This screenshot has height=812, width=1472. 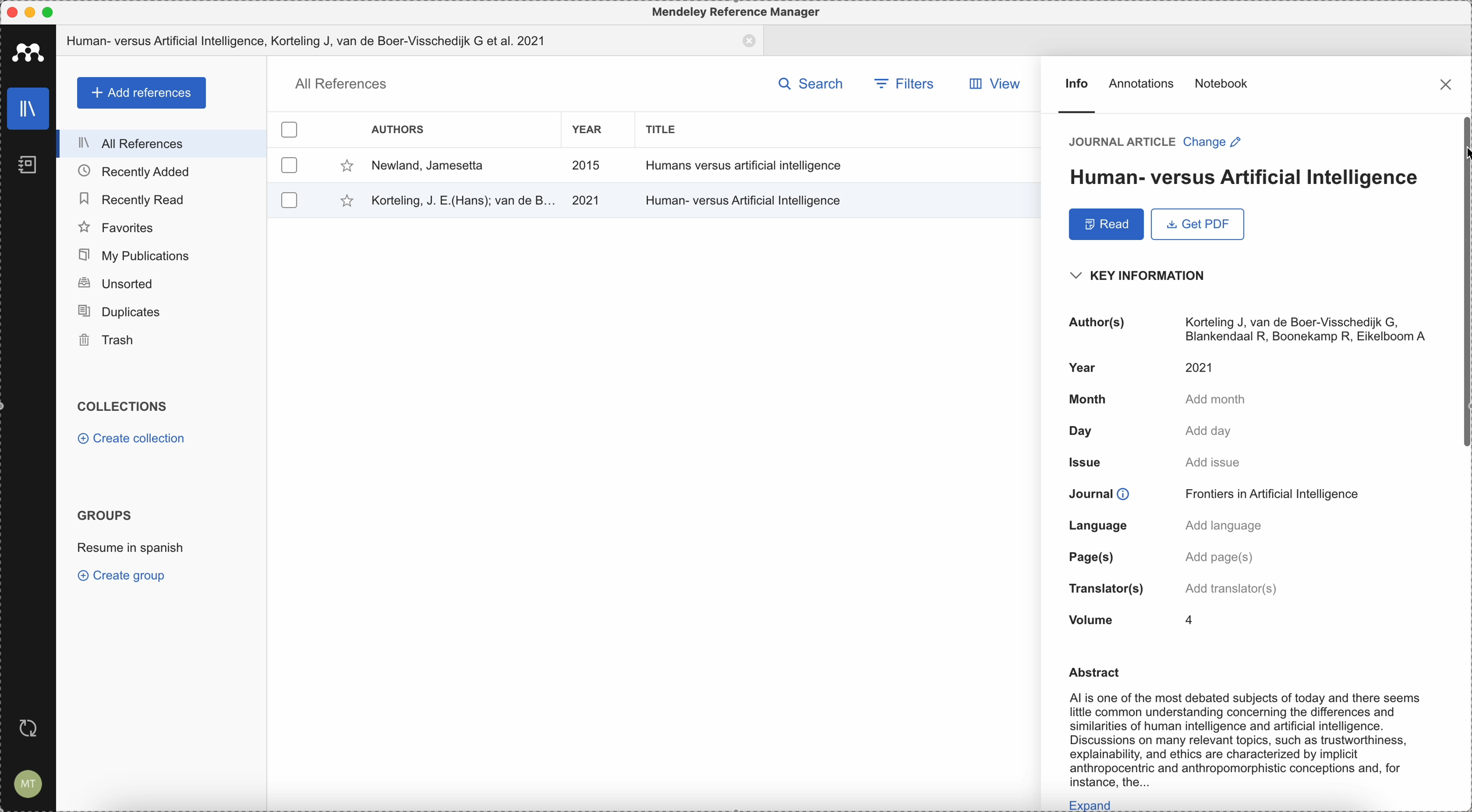 I want to click on close, so click(x=1445, y=83).